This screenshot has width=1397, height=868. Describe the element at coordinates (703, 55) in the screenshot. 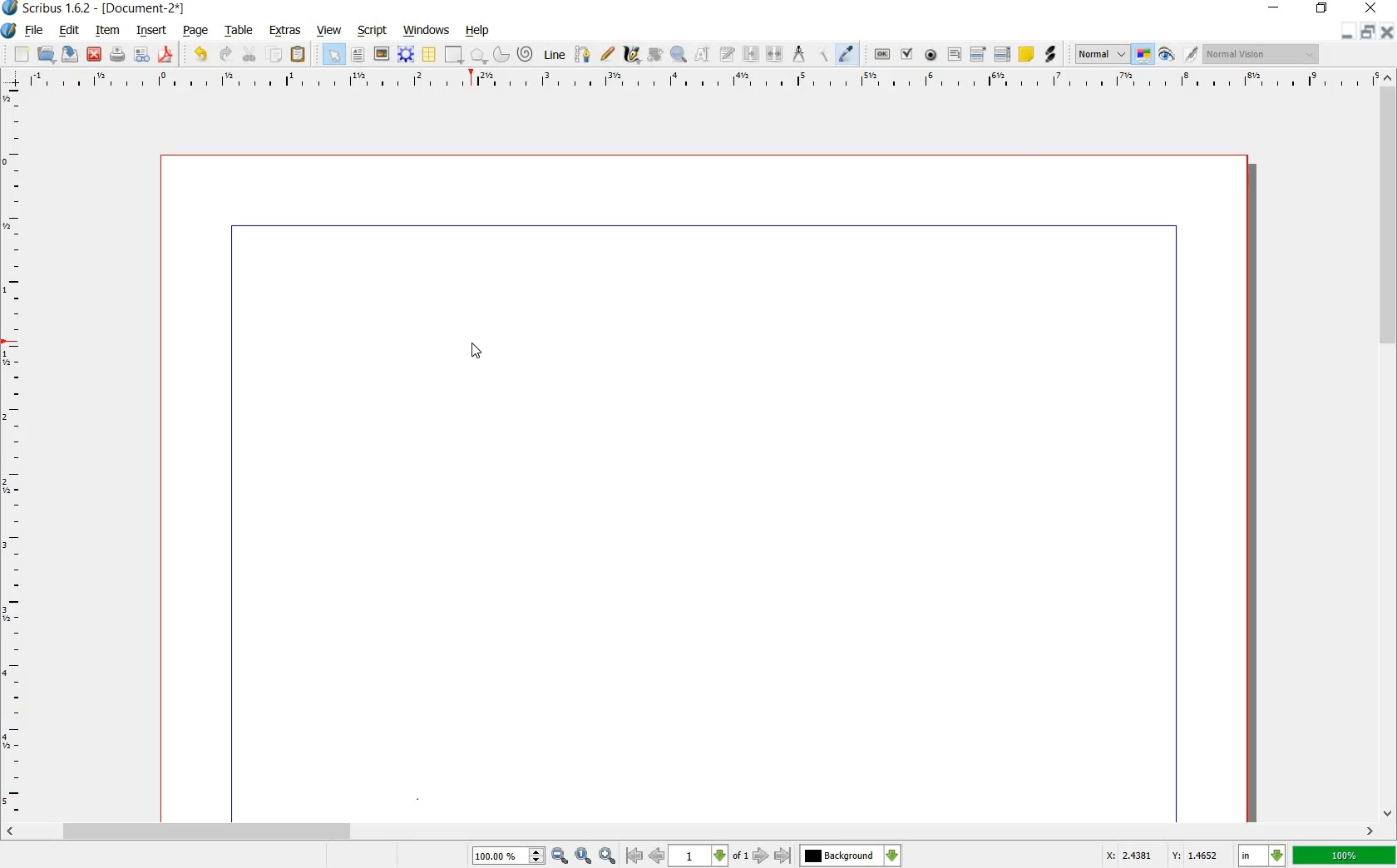

I see `EDIT CONTENTS OF FRAME` at that location.